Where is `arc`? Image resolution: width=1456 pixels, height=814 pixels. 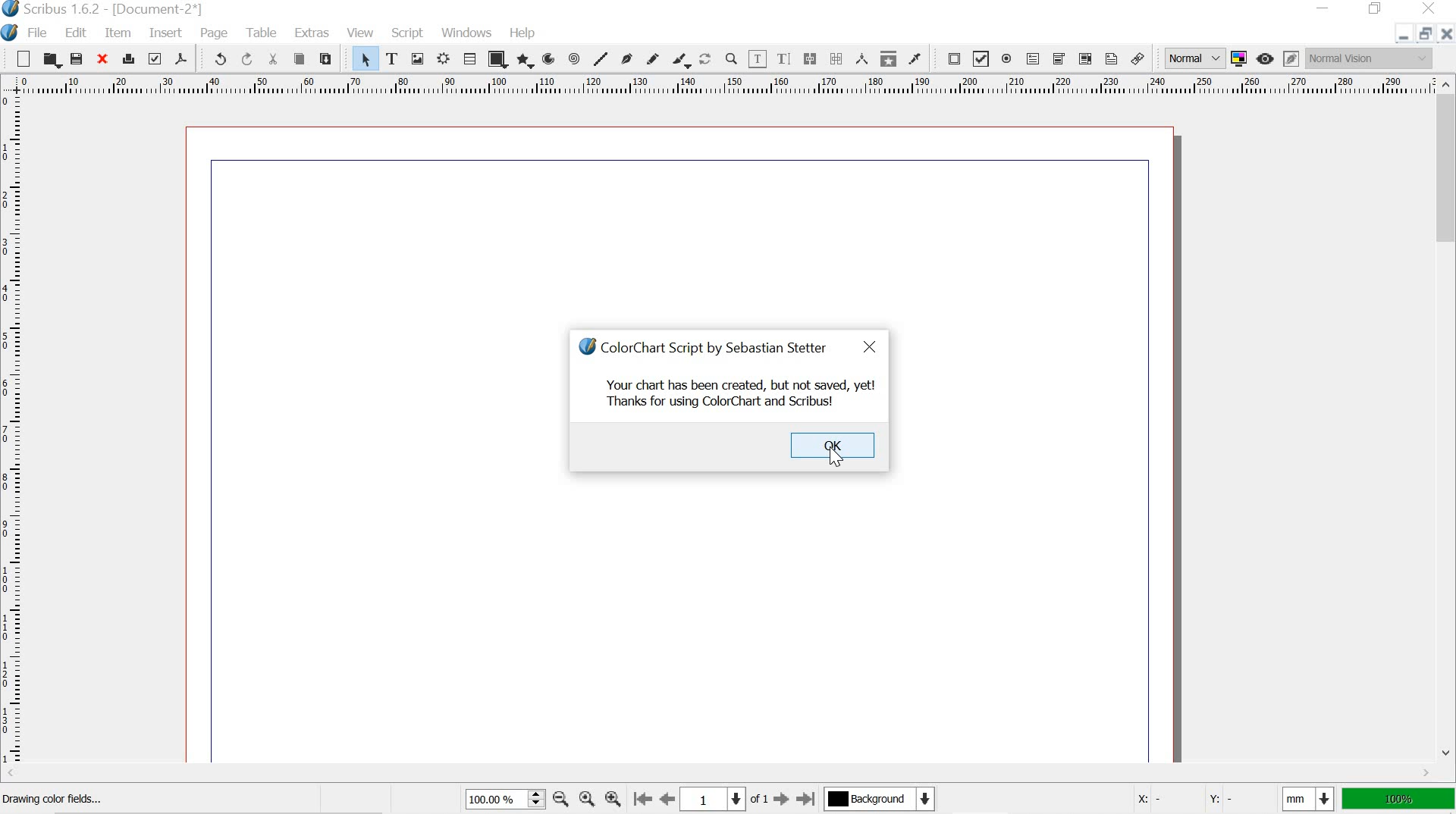
arc is located at coordinates (551, 58).